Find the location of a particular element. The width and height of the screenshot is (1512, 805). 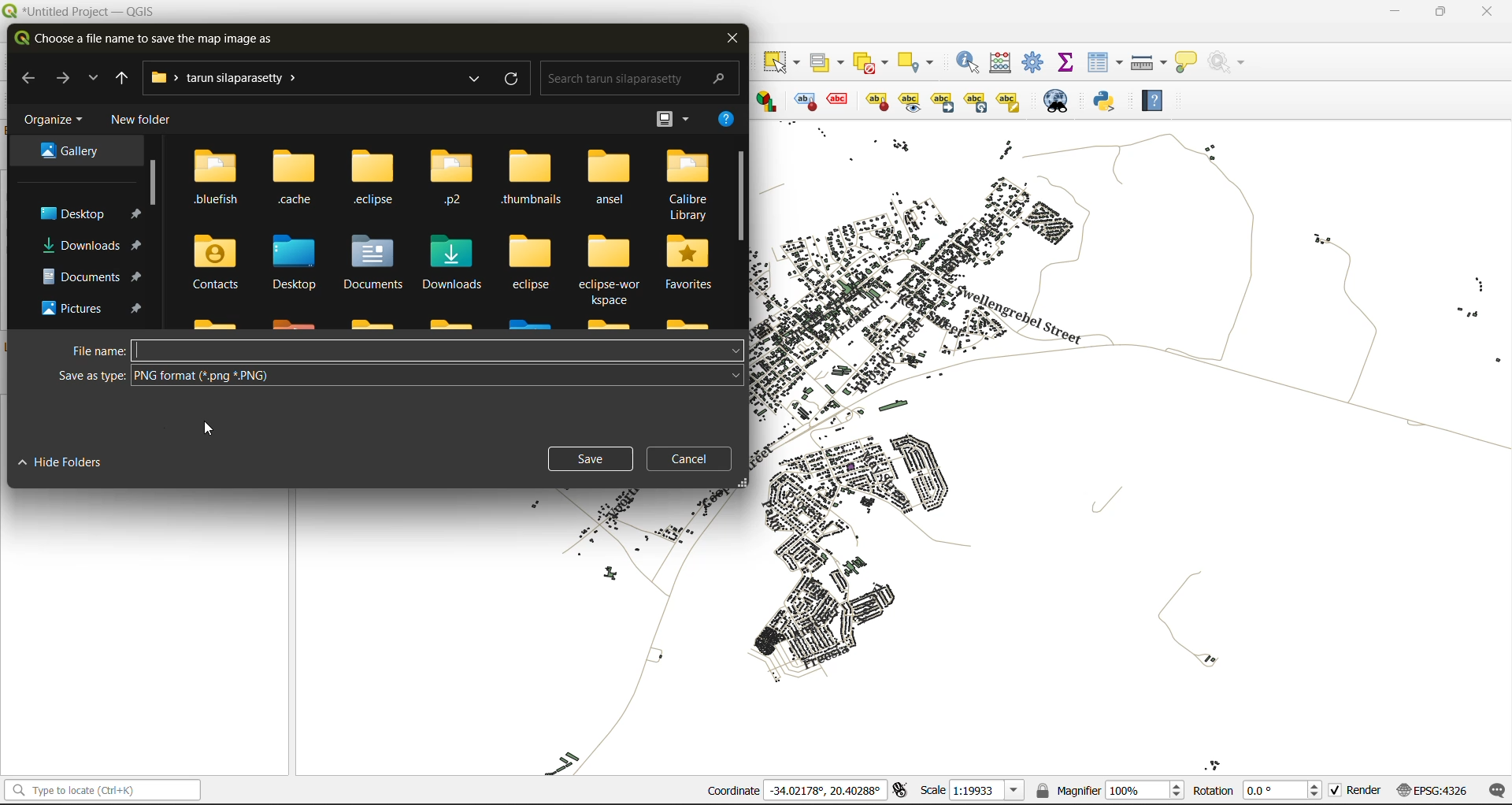

vertical scroll bar is located at coordinates (150, 180).